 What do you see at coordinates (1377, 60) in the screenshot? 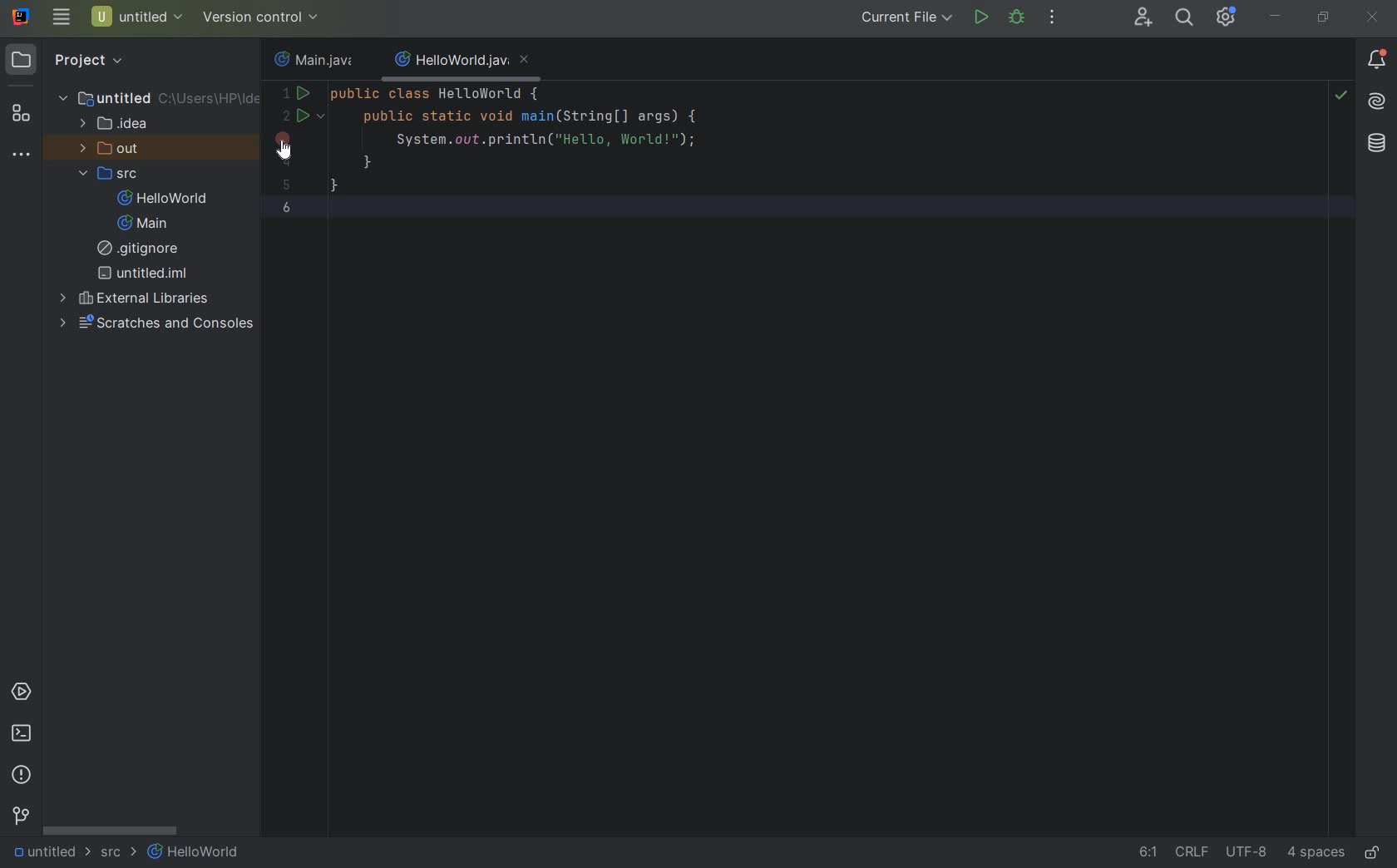
I see `notifications` at bounding box center [1377, 60].